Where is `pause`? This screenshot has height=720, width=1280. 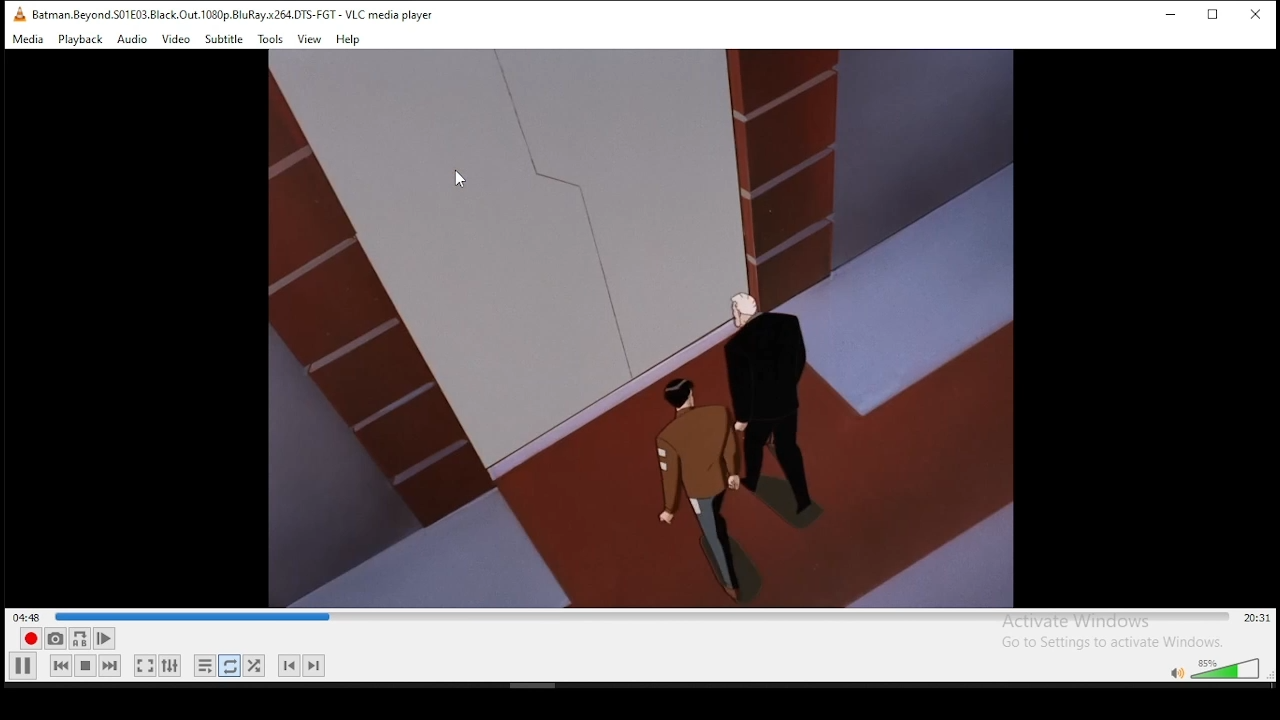
pause is located at coordinates (85, 668).